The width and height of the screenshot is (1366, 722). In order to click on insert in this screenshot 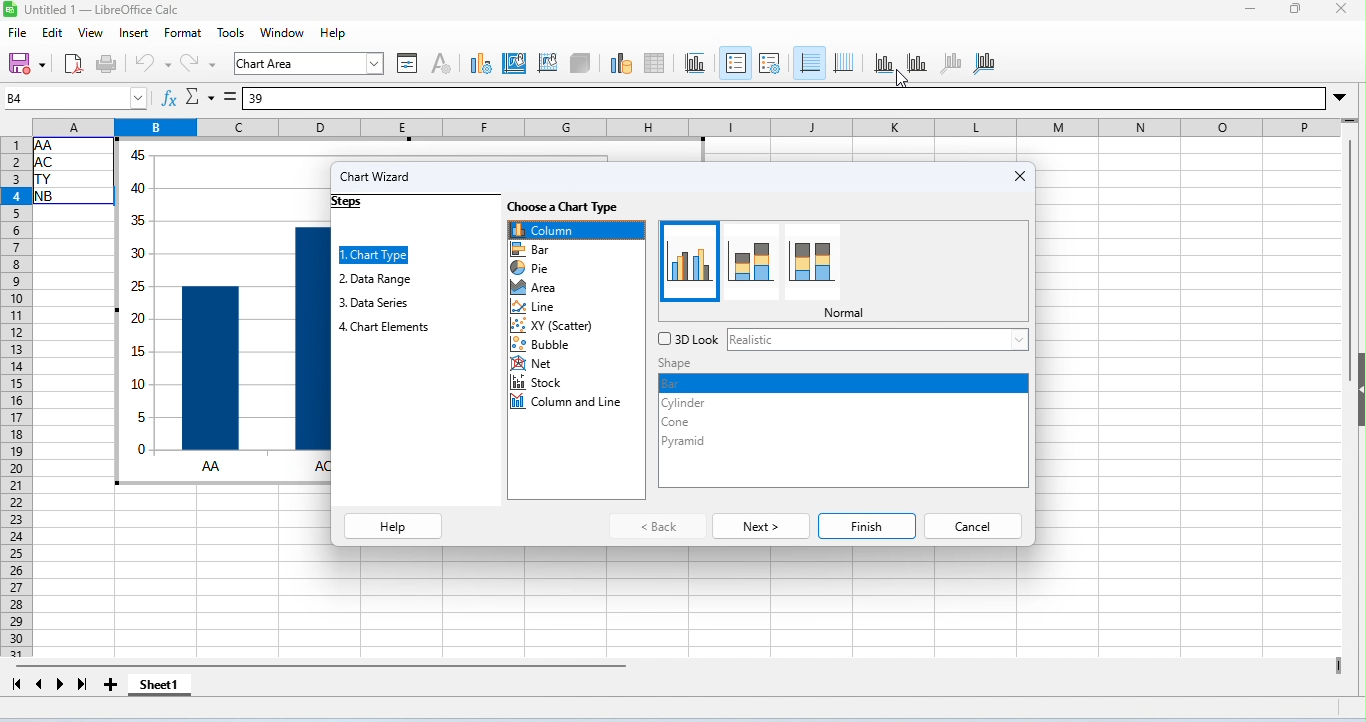, I will do `click(135, 34)`.